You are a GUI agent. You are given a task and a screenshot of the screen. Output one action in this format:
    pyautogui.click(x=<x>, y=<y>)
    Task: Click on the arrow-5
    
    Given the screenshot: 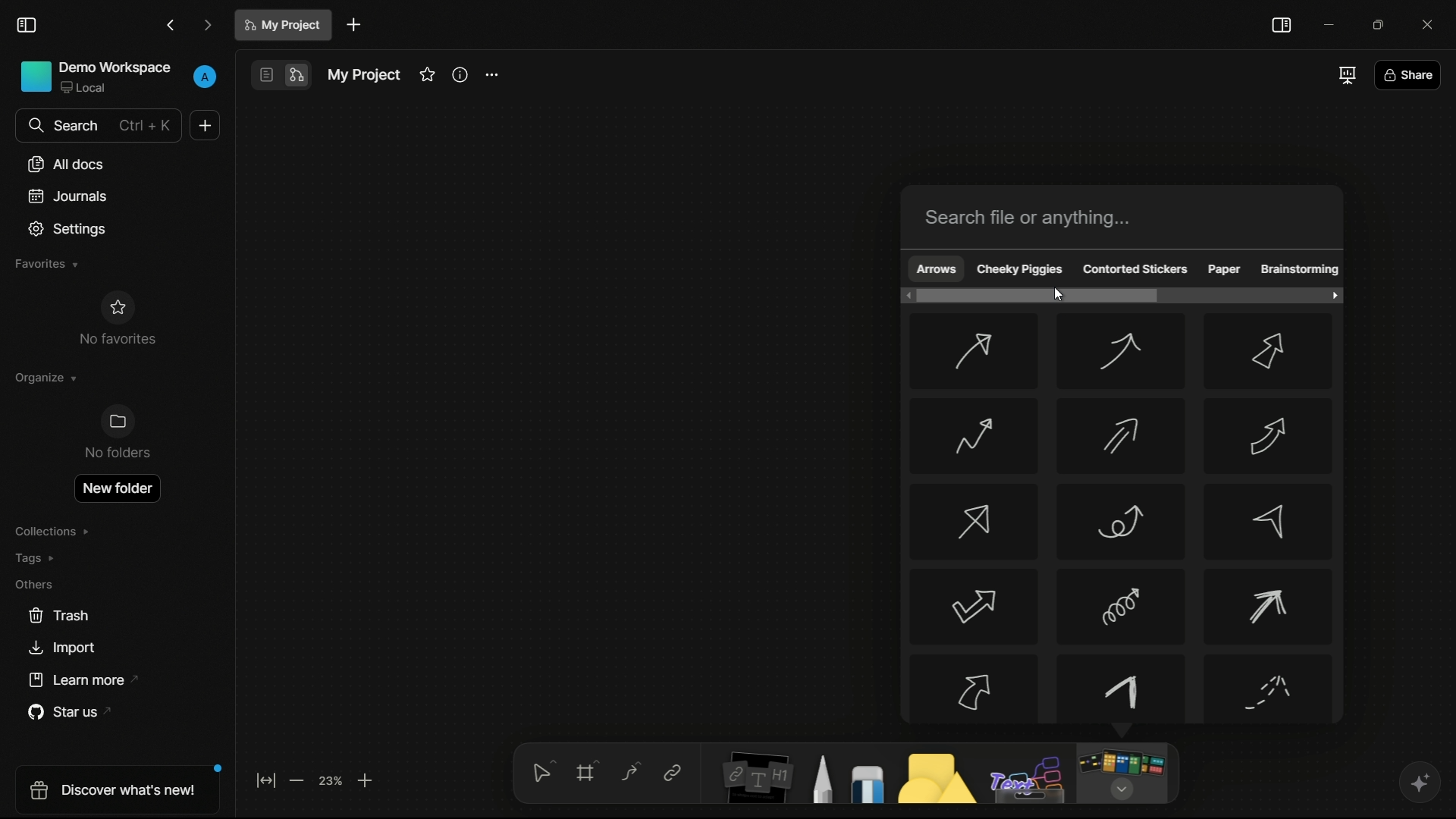 What is the action you would take?
    pyautogui.click(x=1119, y=437)
    